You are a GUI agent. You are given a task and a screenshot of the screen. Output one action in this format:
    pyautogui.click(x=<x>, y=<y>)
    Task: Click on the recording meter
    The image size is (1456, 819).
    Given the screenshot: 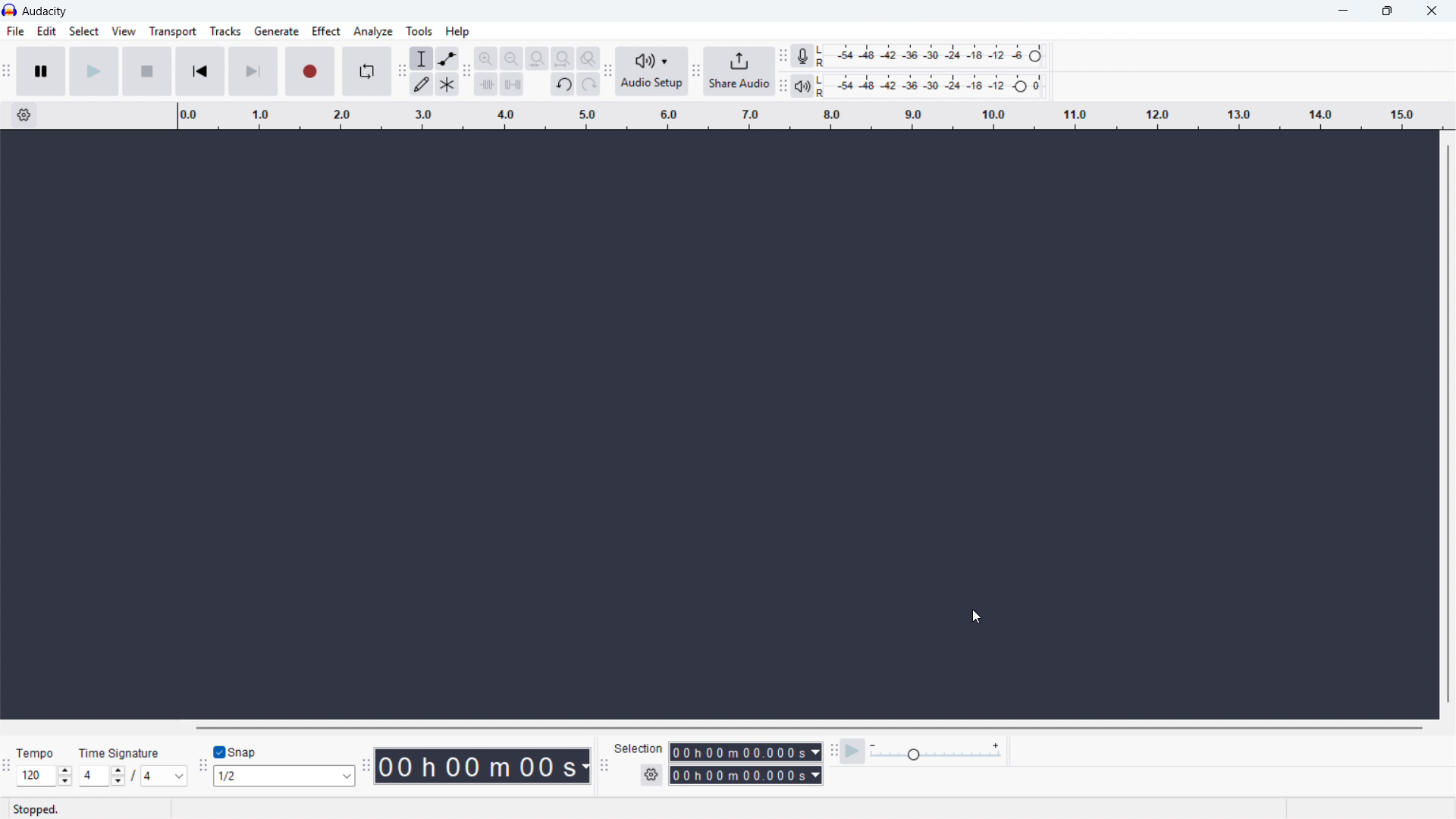 What is the action you would take?
    pyautogui.click(x=803, y=55)
    